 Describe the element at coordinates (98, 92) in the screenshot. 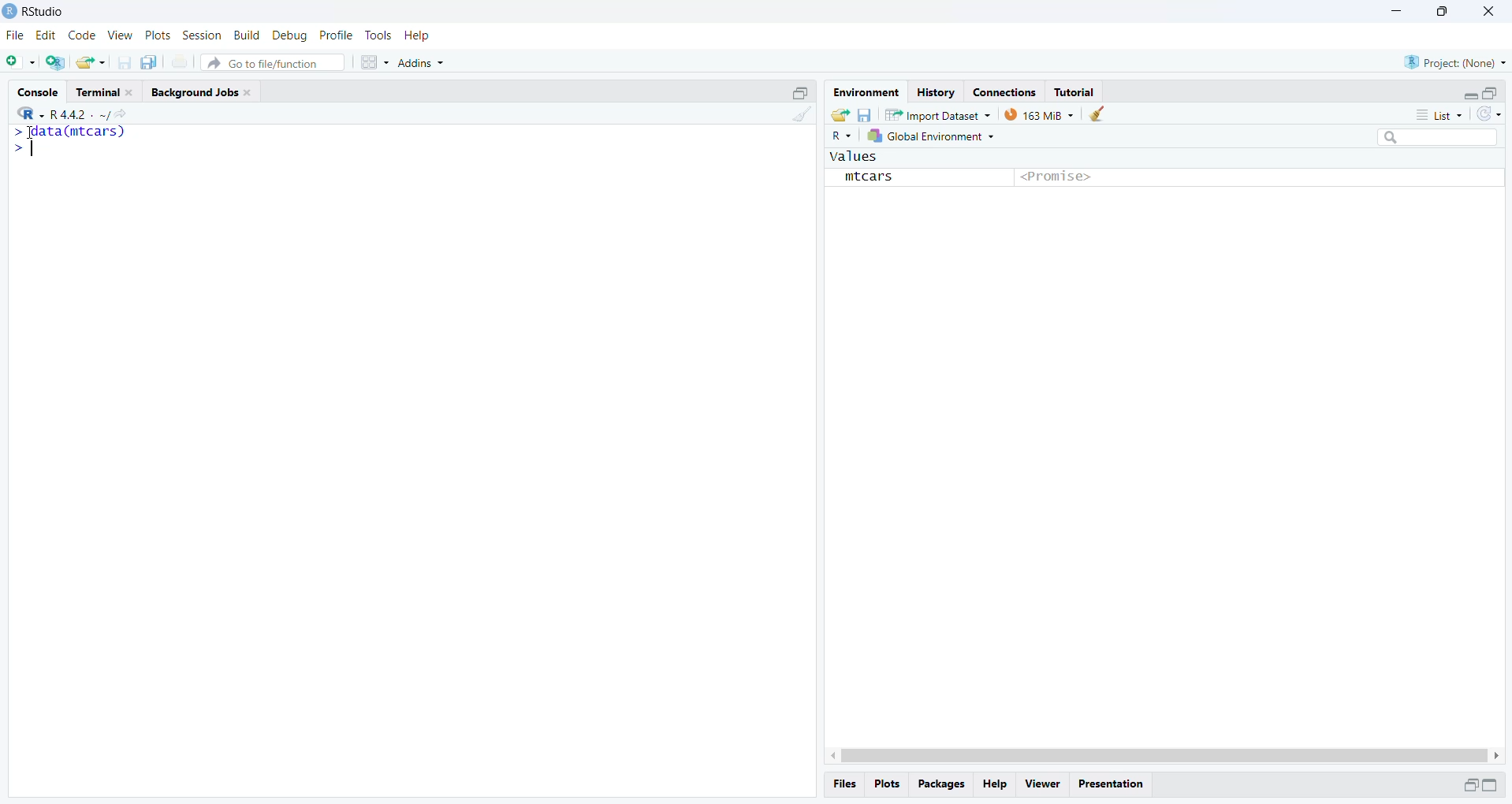

I see `Terminal` at that location.